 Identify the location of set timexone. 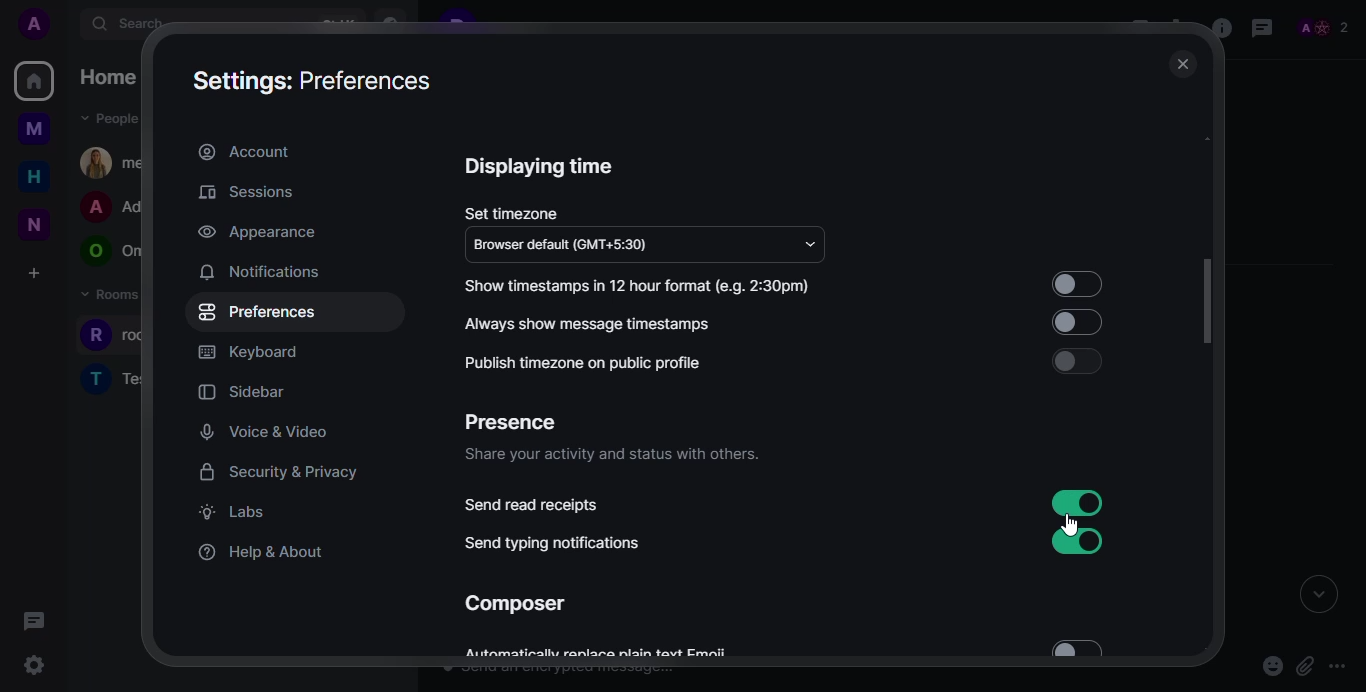
(514, 213).